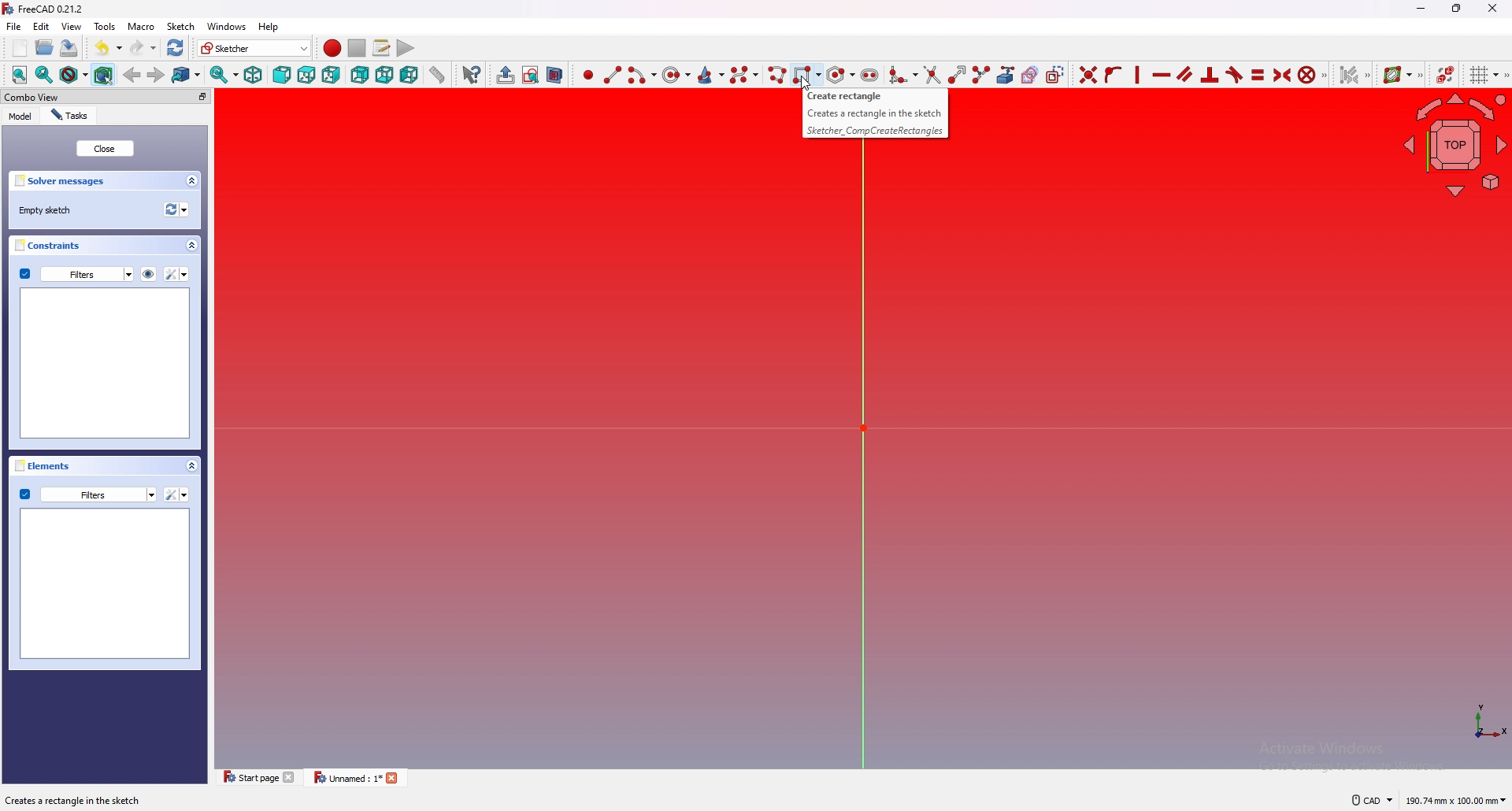 The width and height of the screenshot is (1512, 811). I want to click on switch workbench, so click(255, 47).